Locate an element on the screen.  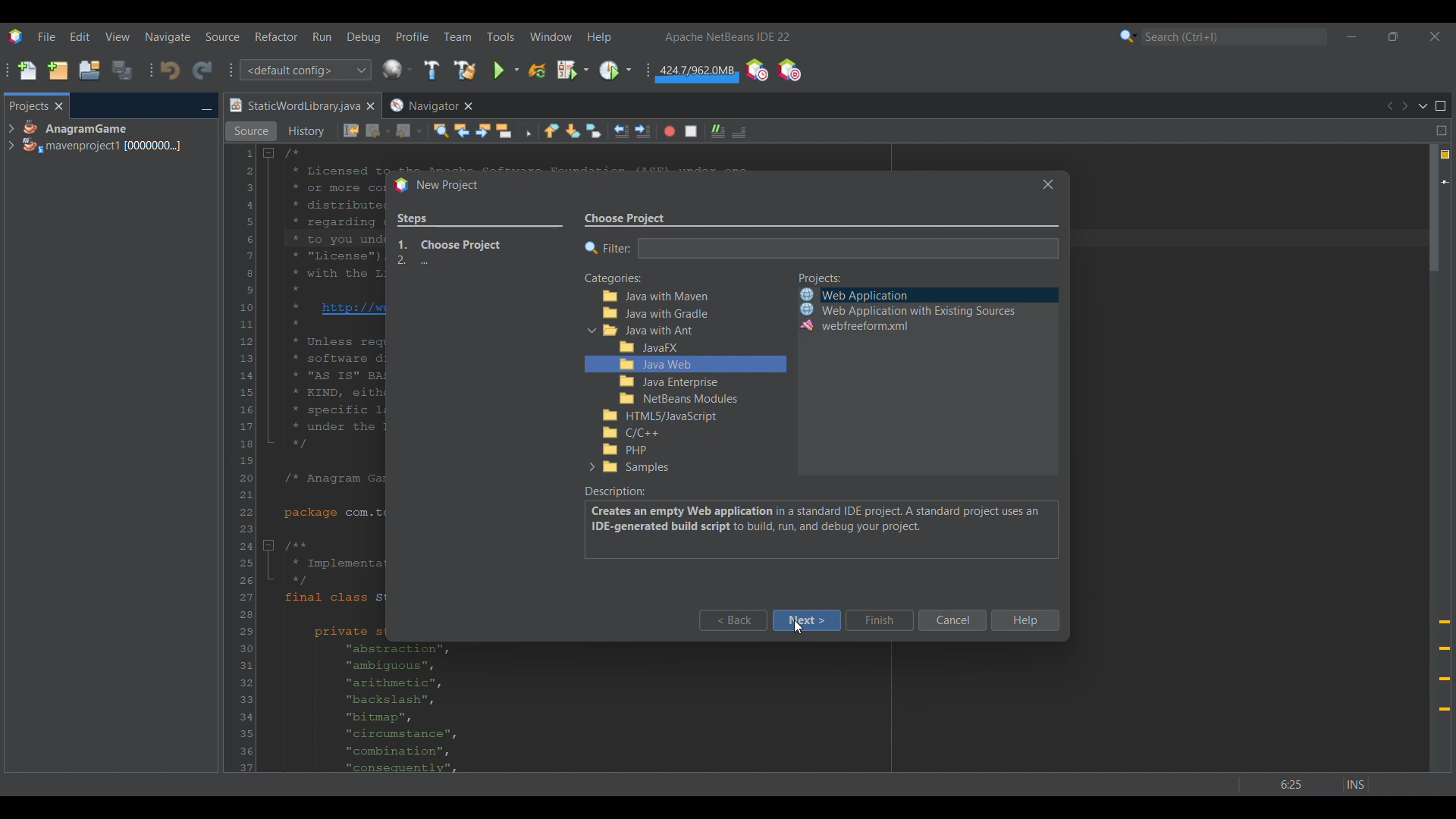
Current section is located at coordinates (748, 218).